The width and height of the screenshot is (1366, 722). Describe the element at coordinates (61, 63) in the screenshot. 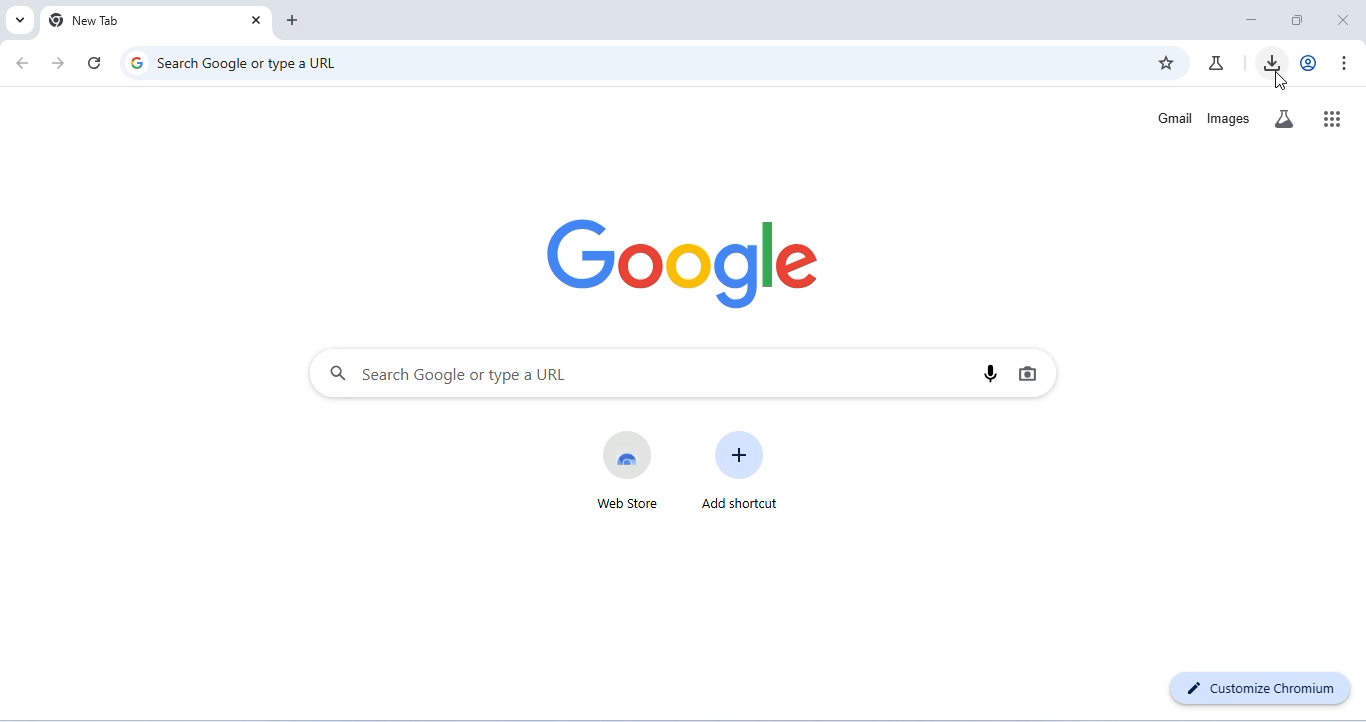

I see `go forward` at that location.